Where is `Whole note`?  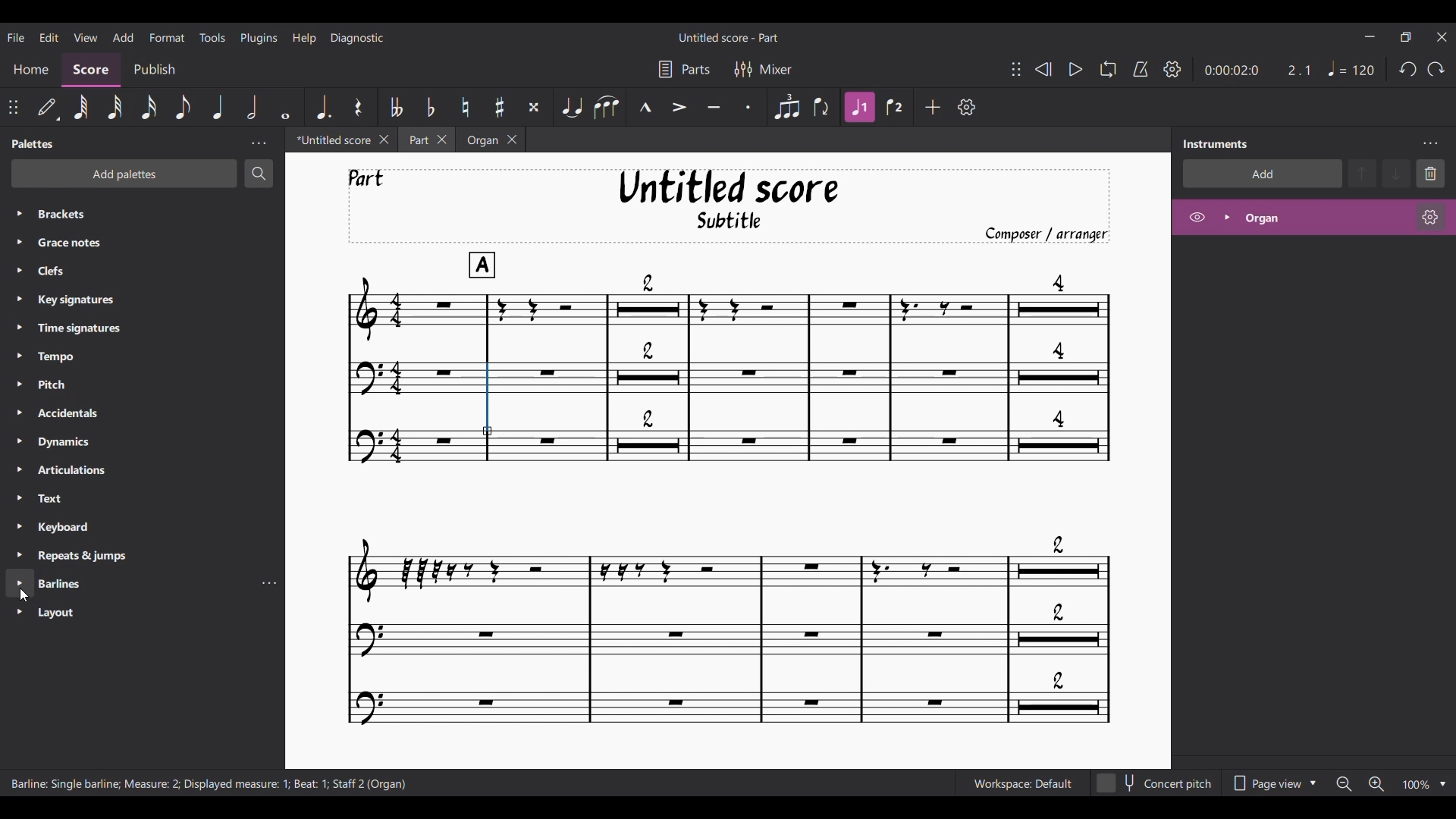
Whole note is located at coordinates (285, 107).